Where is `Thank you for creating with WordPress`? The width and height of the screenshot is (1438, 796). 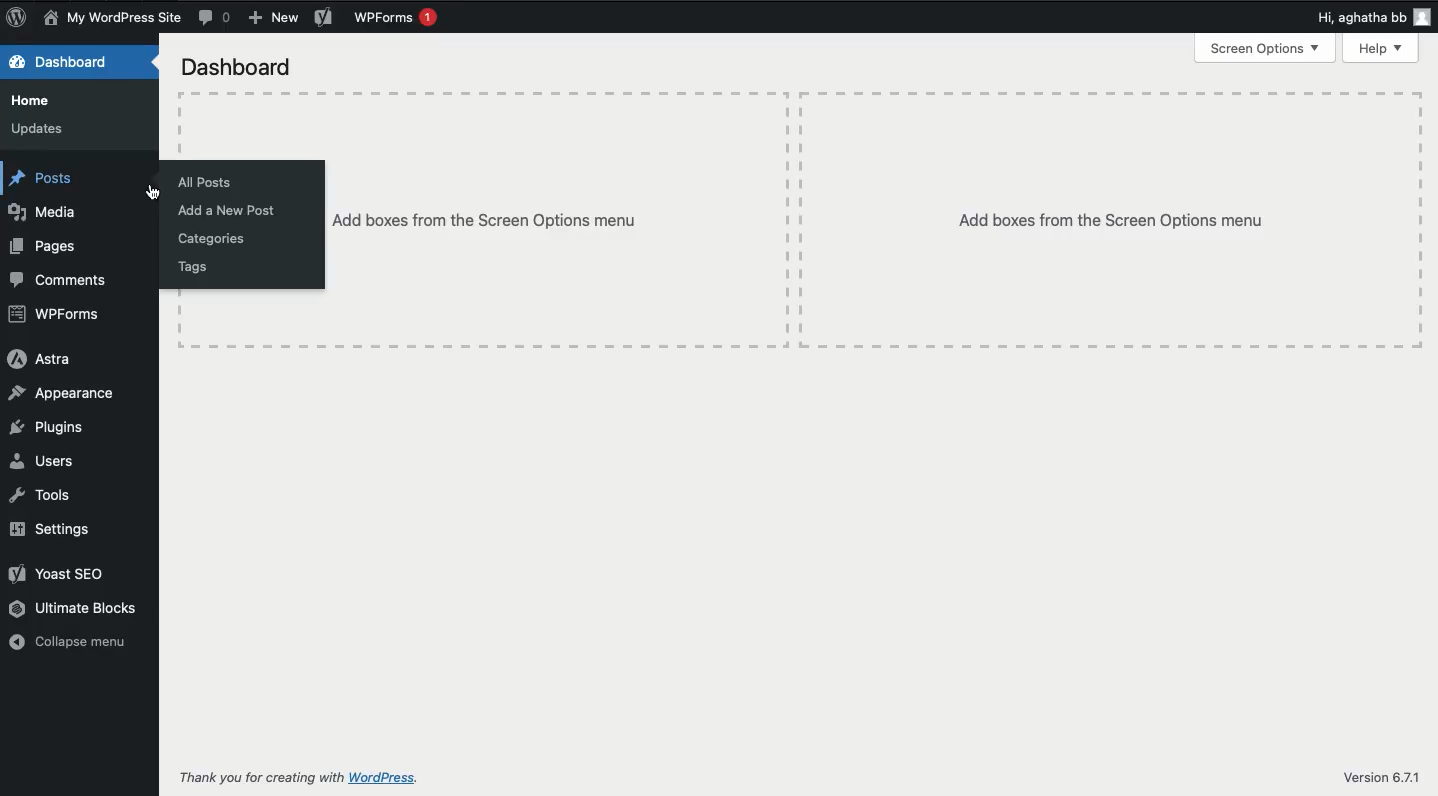 Thank you for creating with WordPress is located at coordinates (301, 779).